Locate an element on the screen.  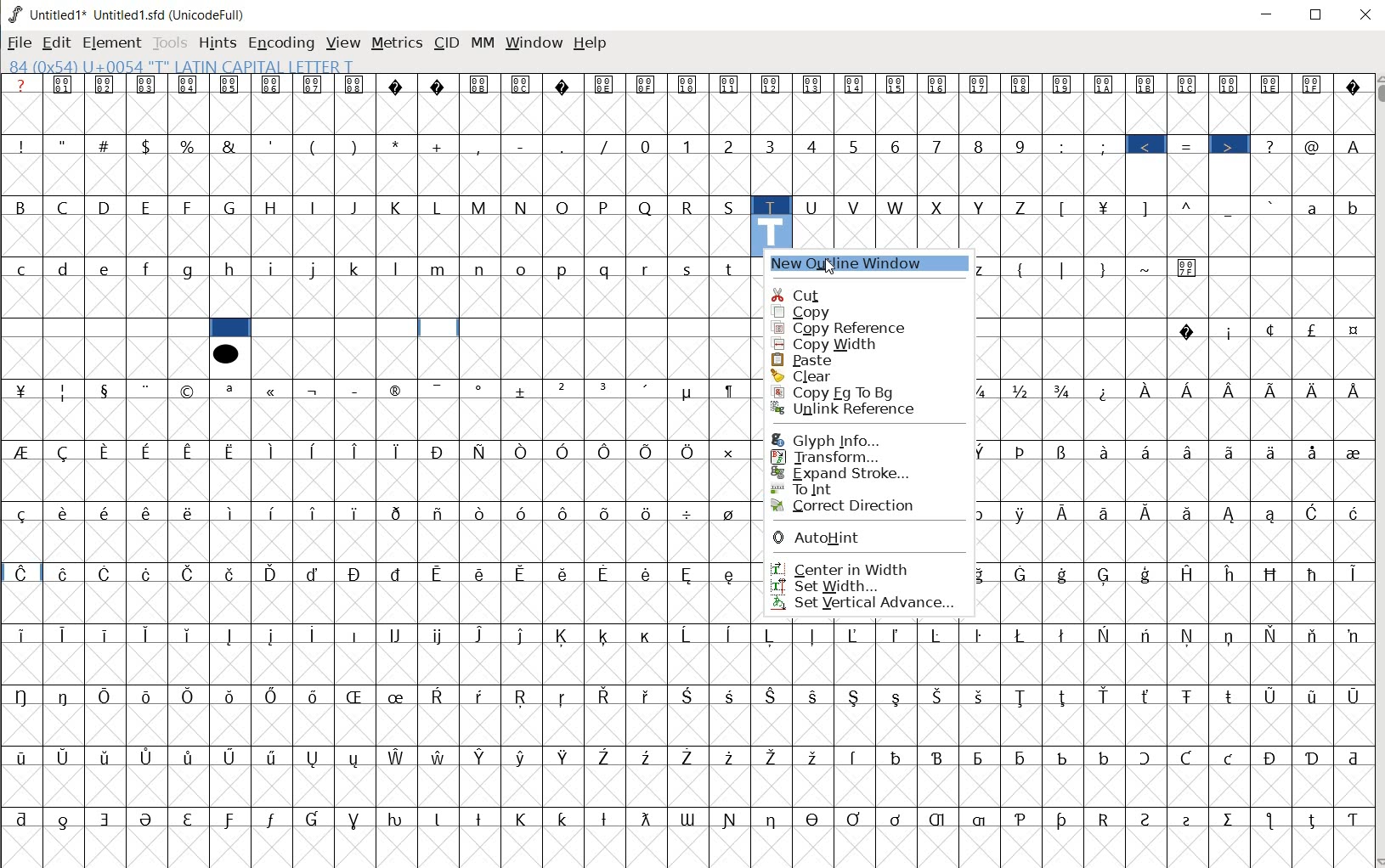
Symbol is located at coordinates (483, 573).